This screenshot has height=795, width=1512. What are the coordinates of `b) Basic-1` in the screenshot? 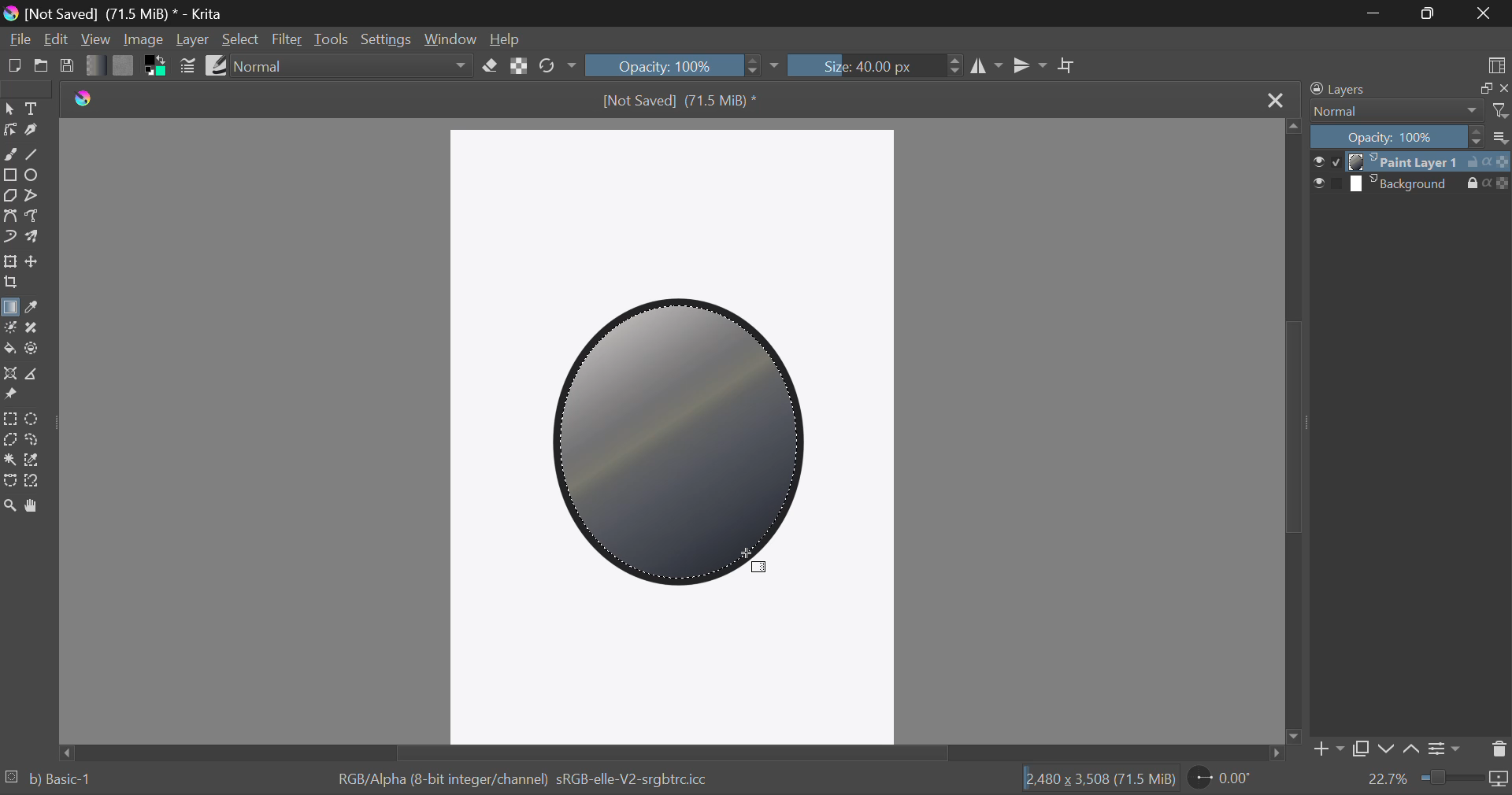 It's located at (57, 780).